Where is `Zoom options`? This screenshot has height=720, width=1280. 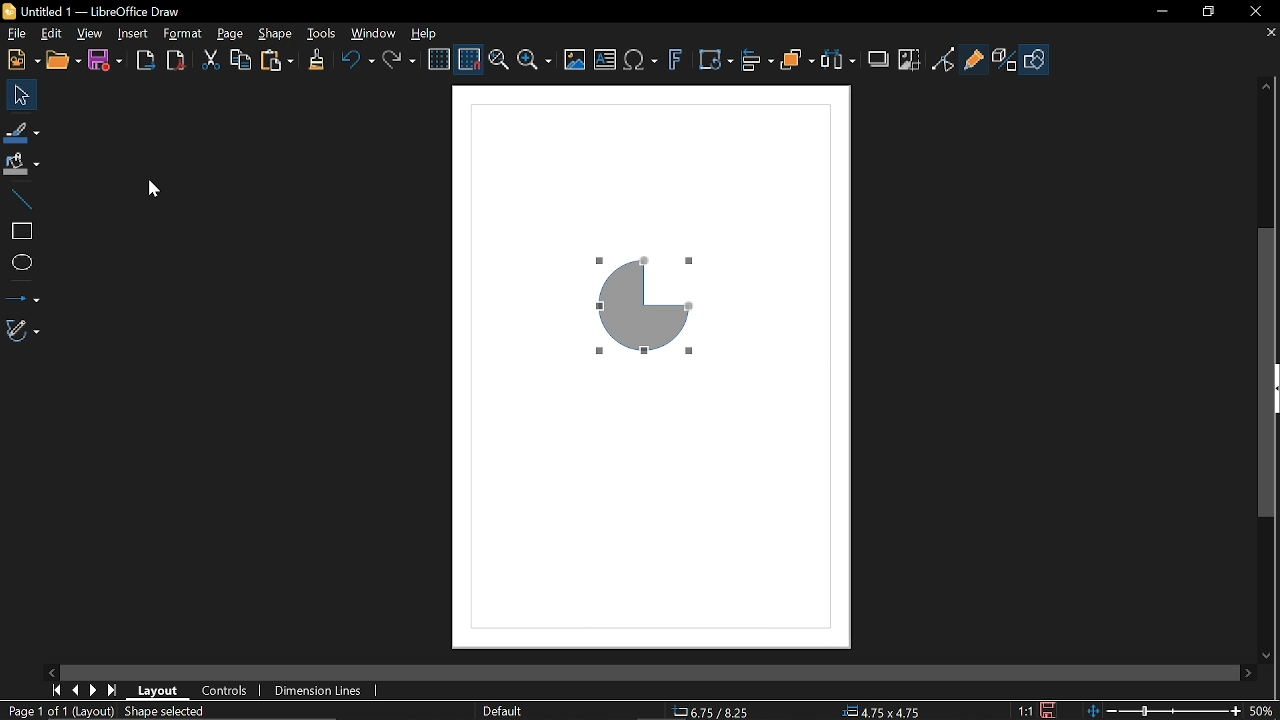
Zoom options is located at coordinates (534, 60).